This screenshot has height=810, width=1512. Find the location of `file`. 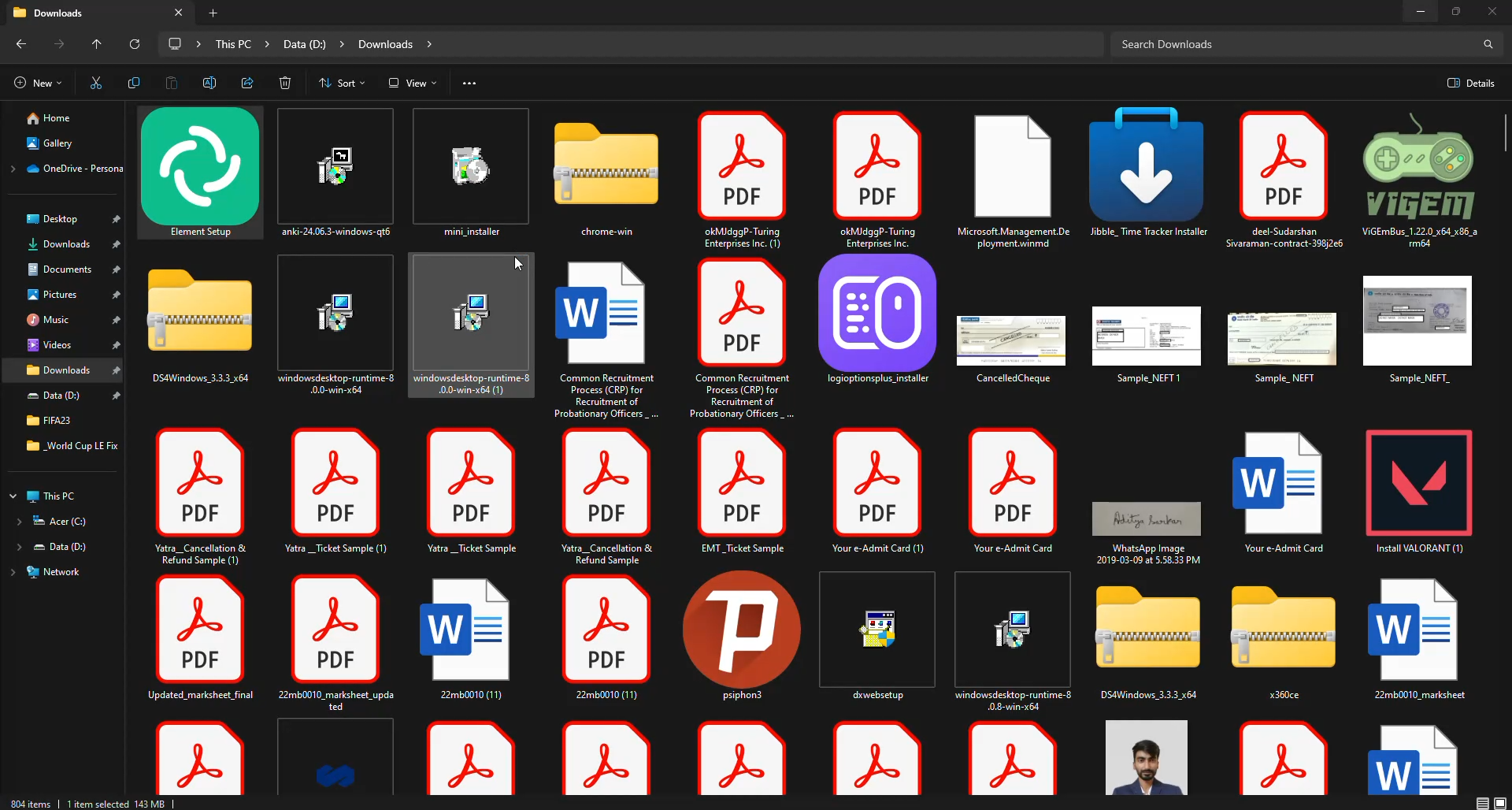

file is located at coordinates (1155, 176).